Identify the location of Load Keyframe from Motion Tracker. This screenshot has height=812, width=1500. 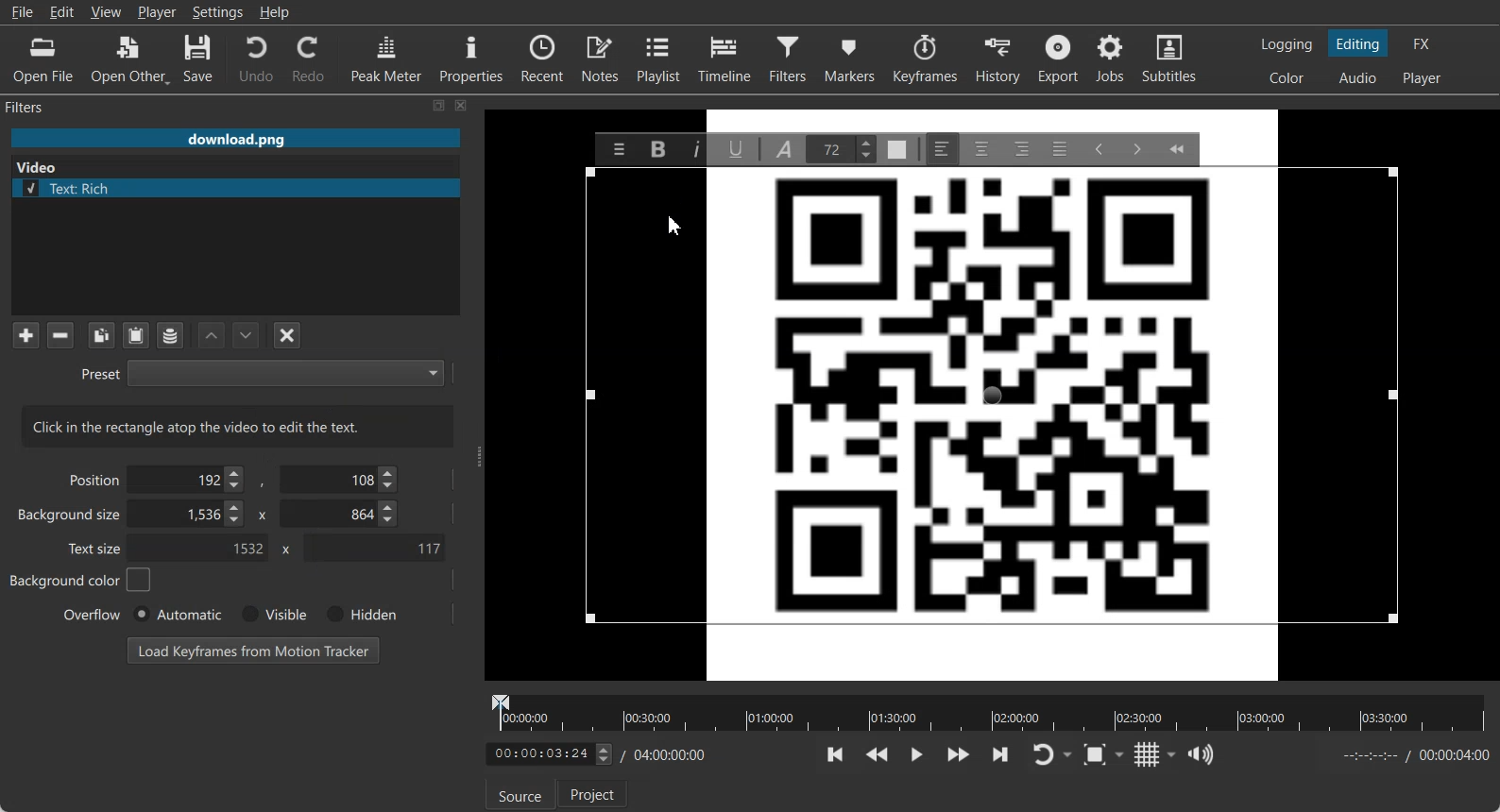
(253, 650).